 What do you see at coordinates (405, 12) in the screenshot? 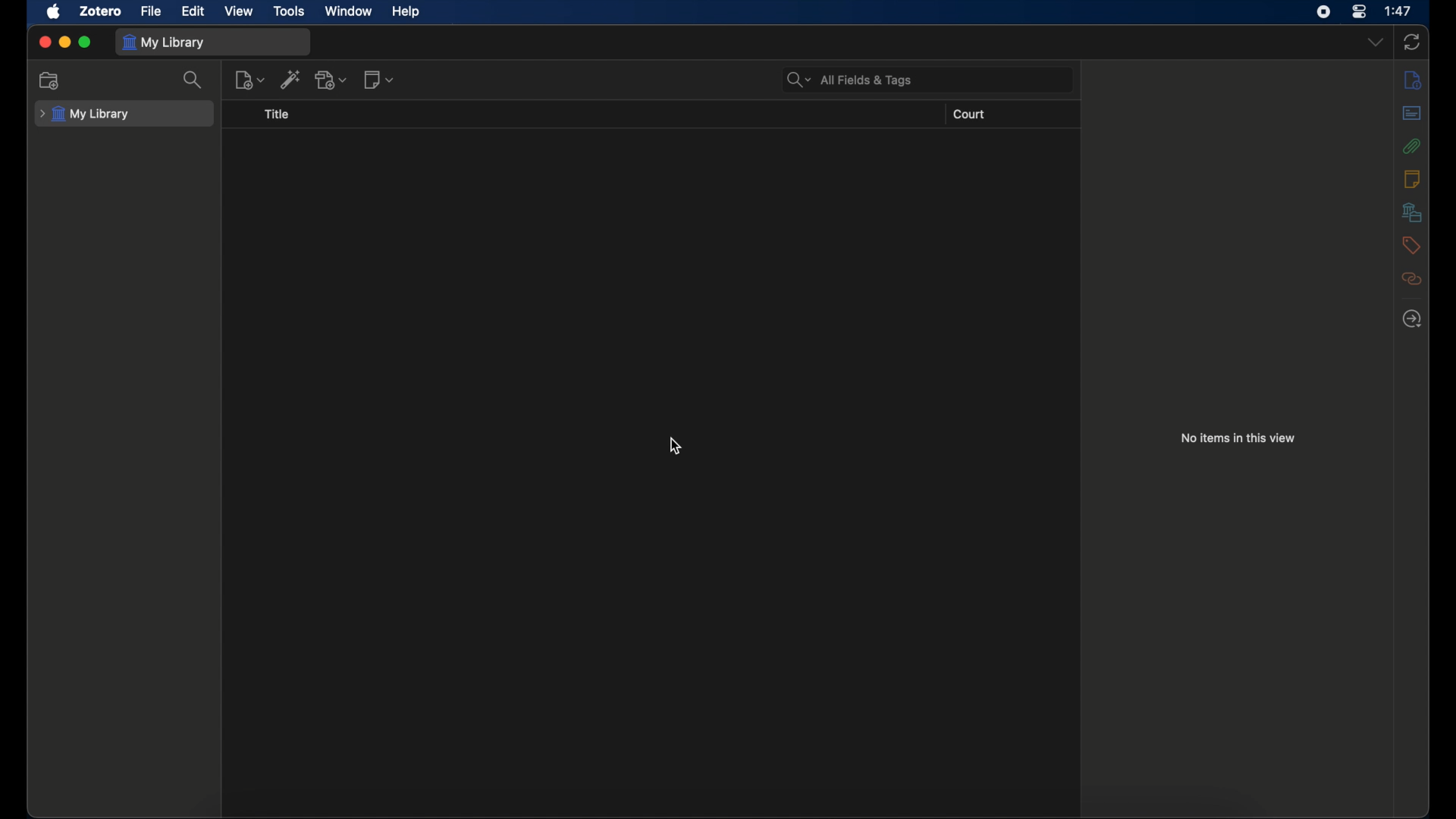
I see `help` at bounding box center [405, 12].